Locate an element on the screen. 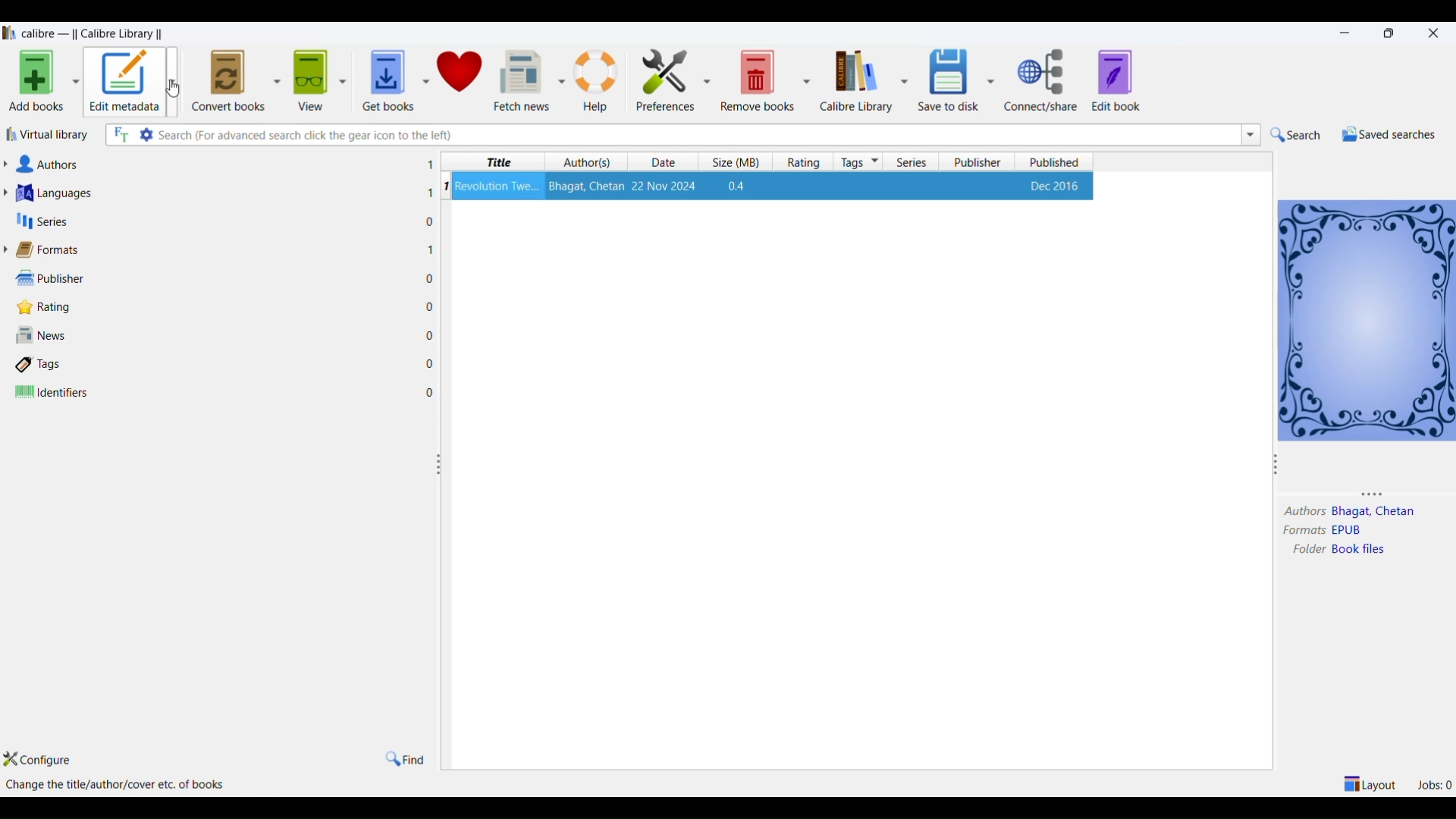  0 is located at coordinates (430, 363).